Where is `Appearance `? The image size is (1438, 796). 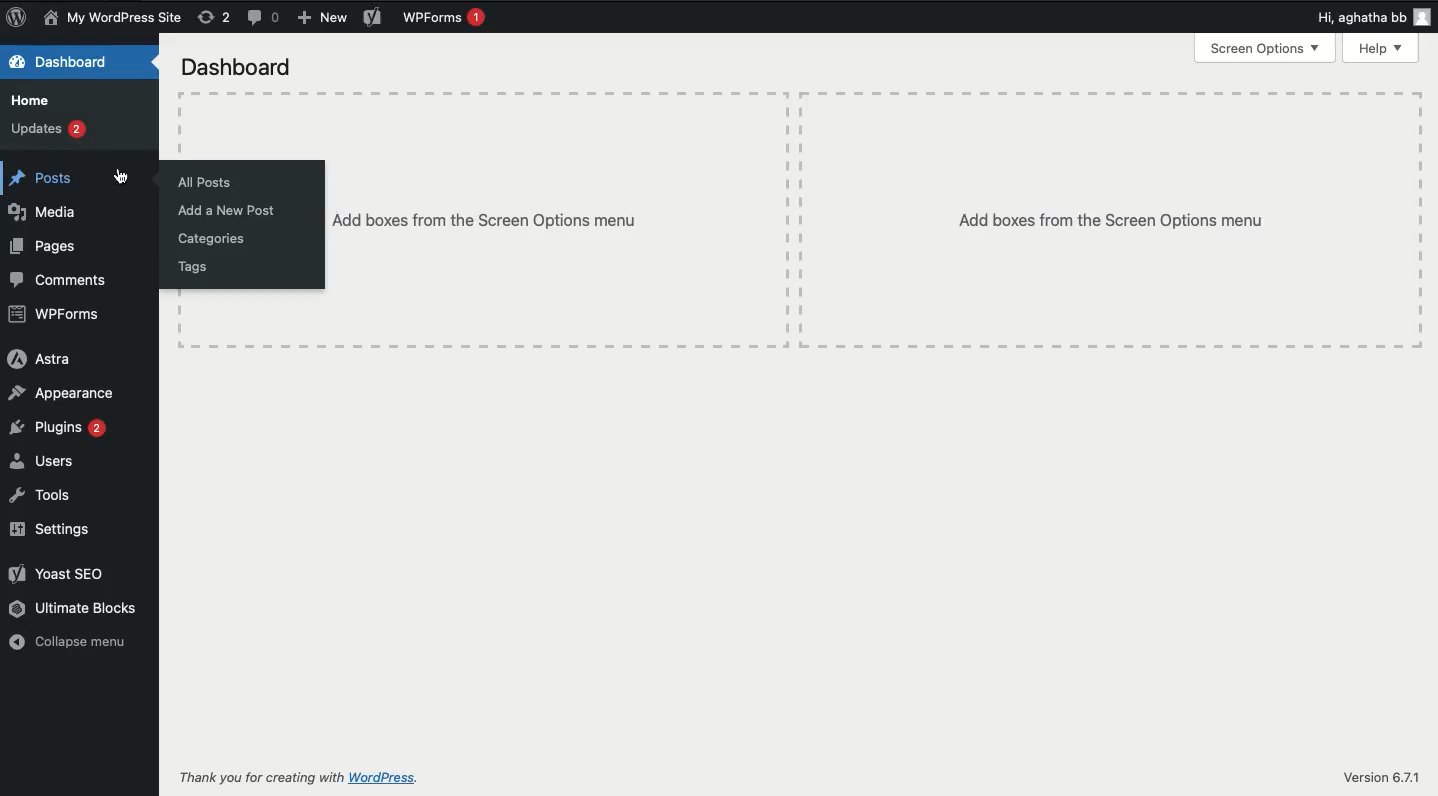
Appearance  is located at coordinates (64, 393).